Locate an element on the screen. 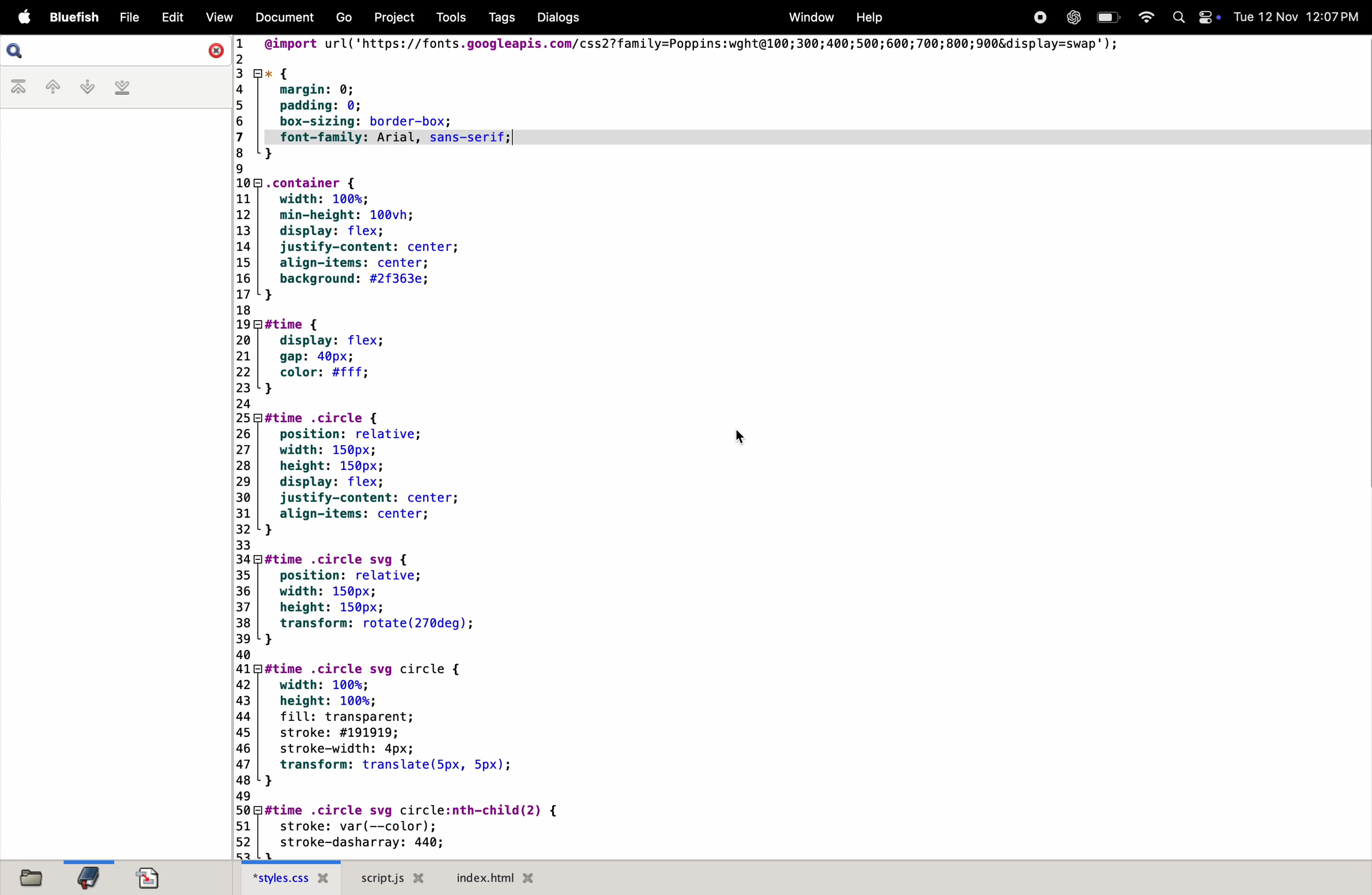  wifi is located at coordinates (1143, 16).